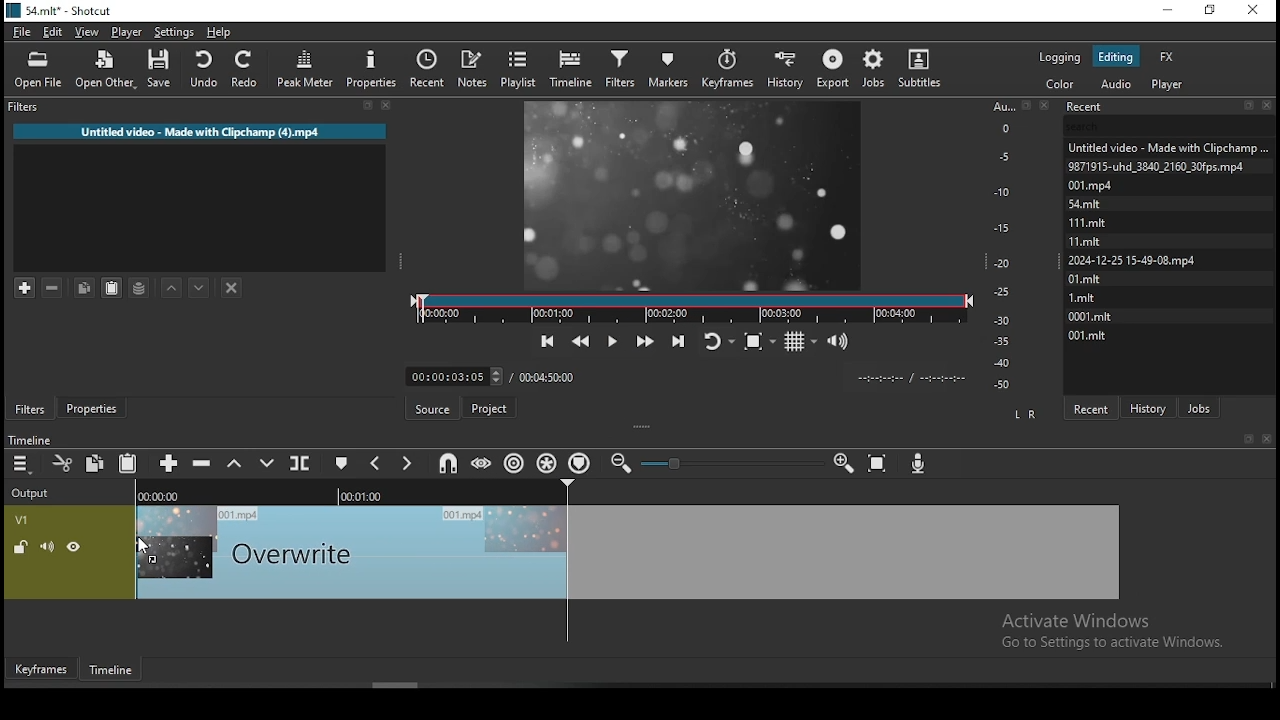 The image size is (1280, 720). I want to click on recent, so click(1094, 406).